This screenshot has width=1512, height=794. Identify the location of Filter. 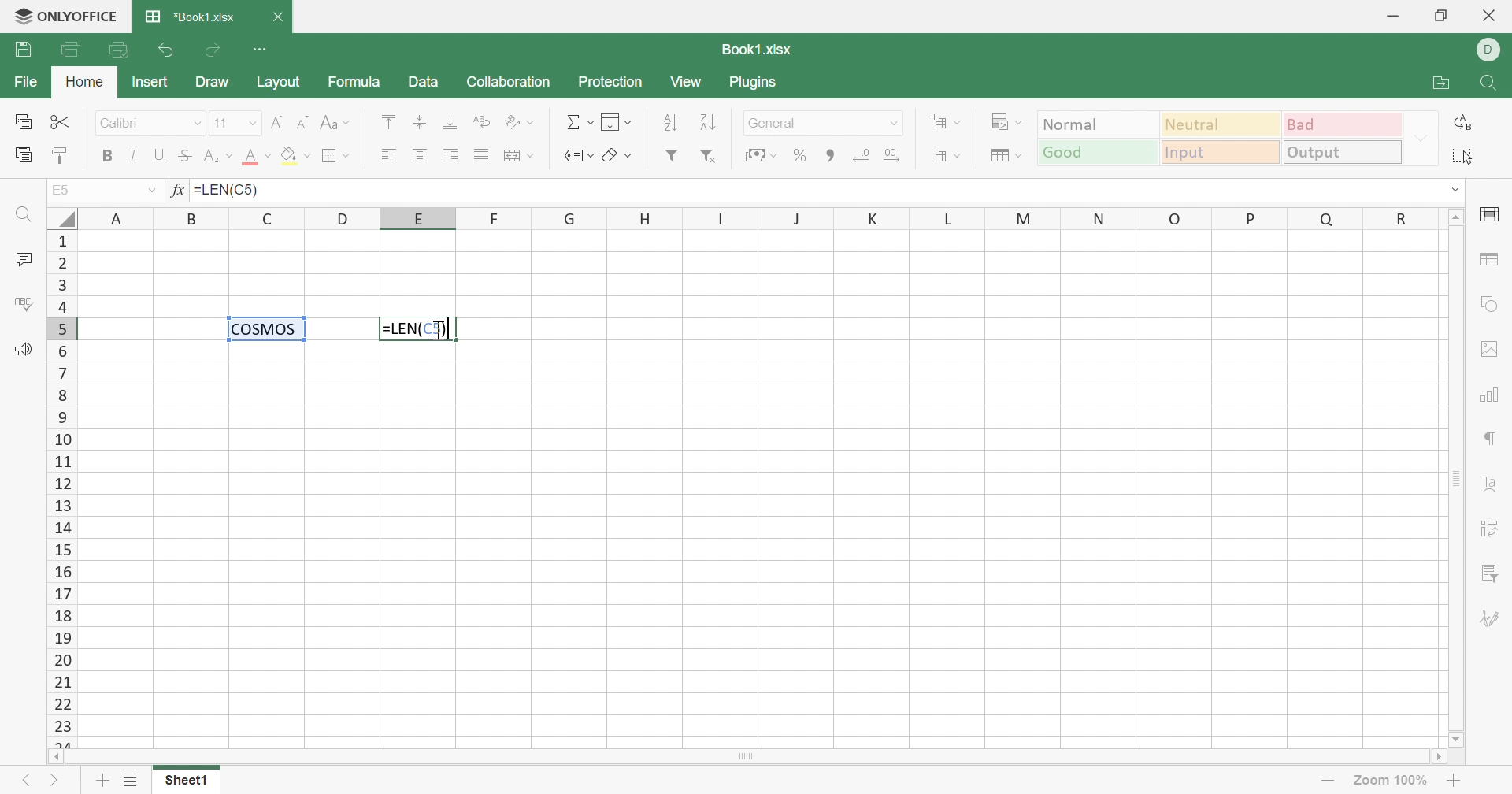
(671, 155).